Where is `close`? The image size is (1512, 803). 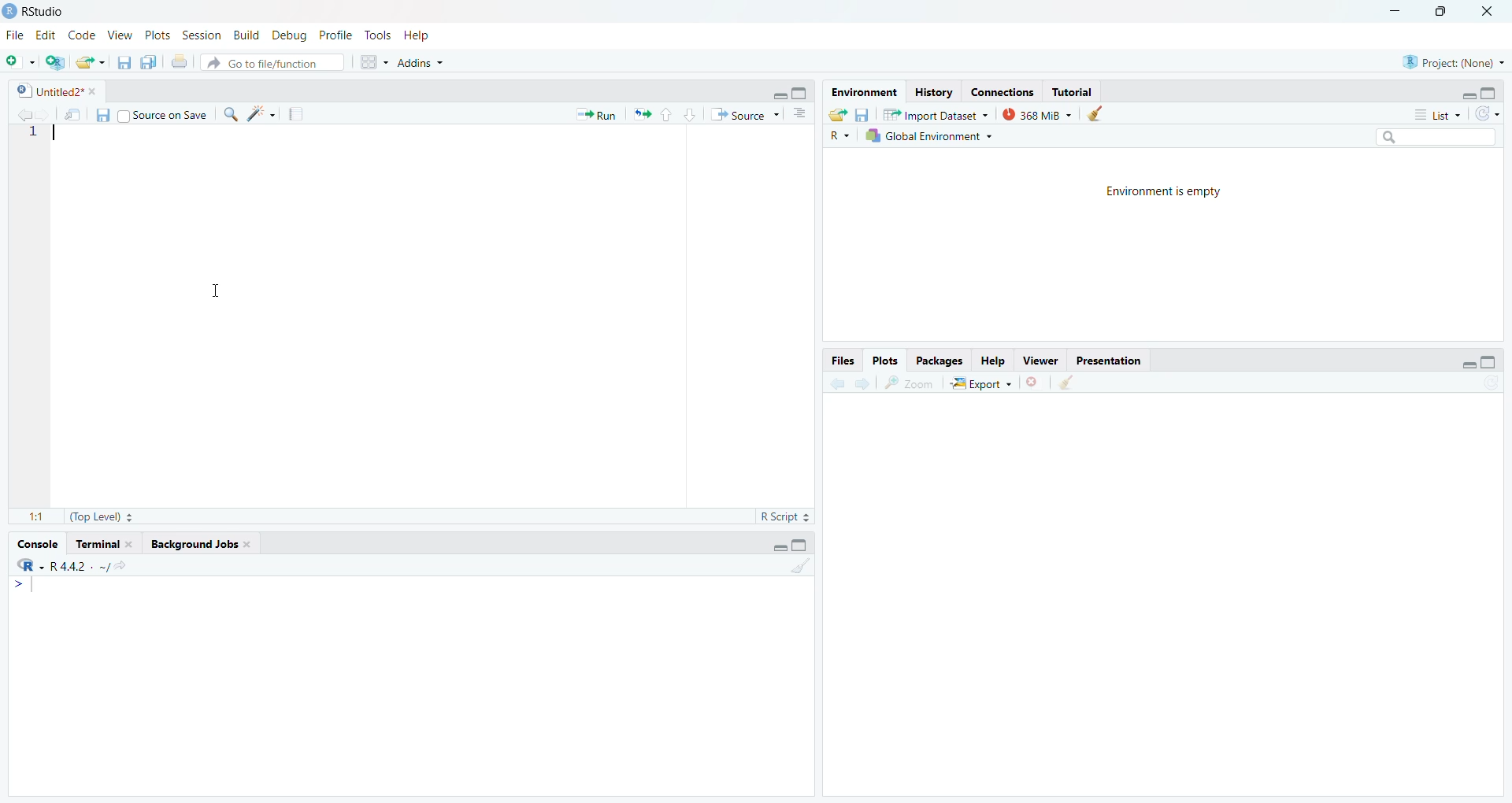
close is located at coordinates (1492, 13).